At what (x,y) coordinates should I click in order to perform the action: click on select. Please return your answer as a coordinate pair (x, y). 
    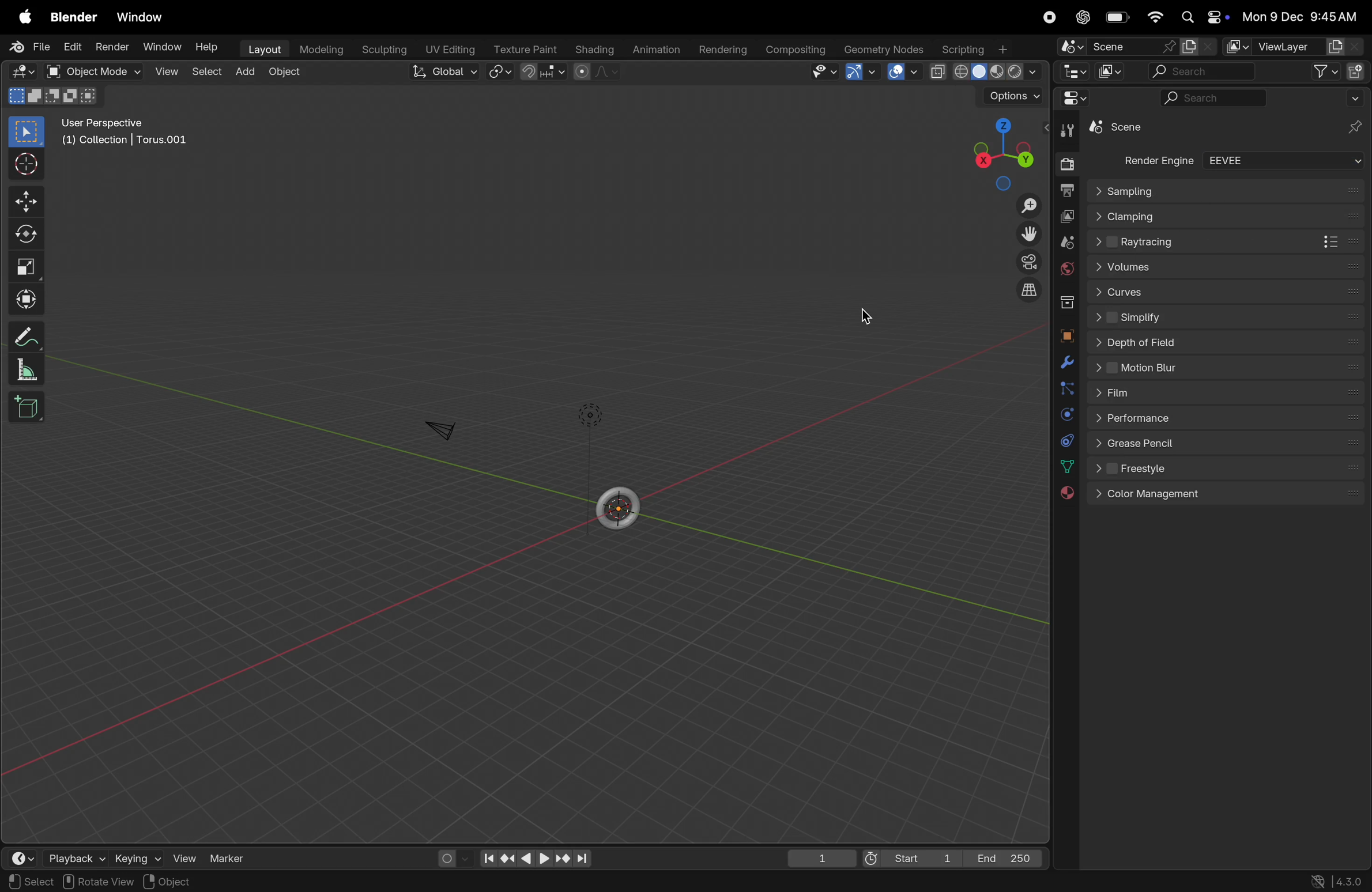
    Looking at the image, I should click on (206, 73).